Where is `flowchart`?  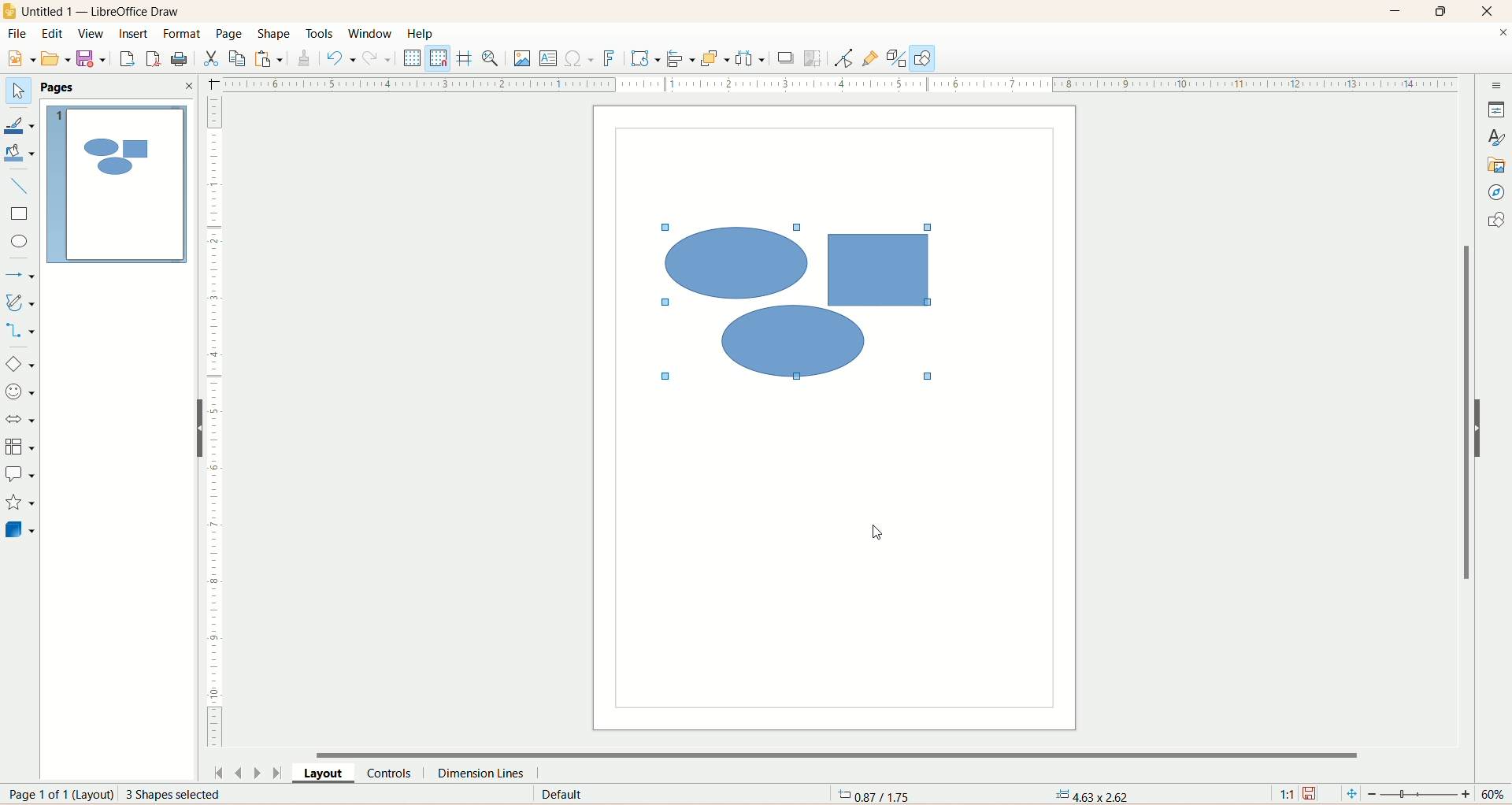 flowchart is located at coordinates (20, 445).